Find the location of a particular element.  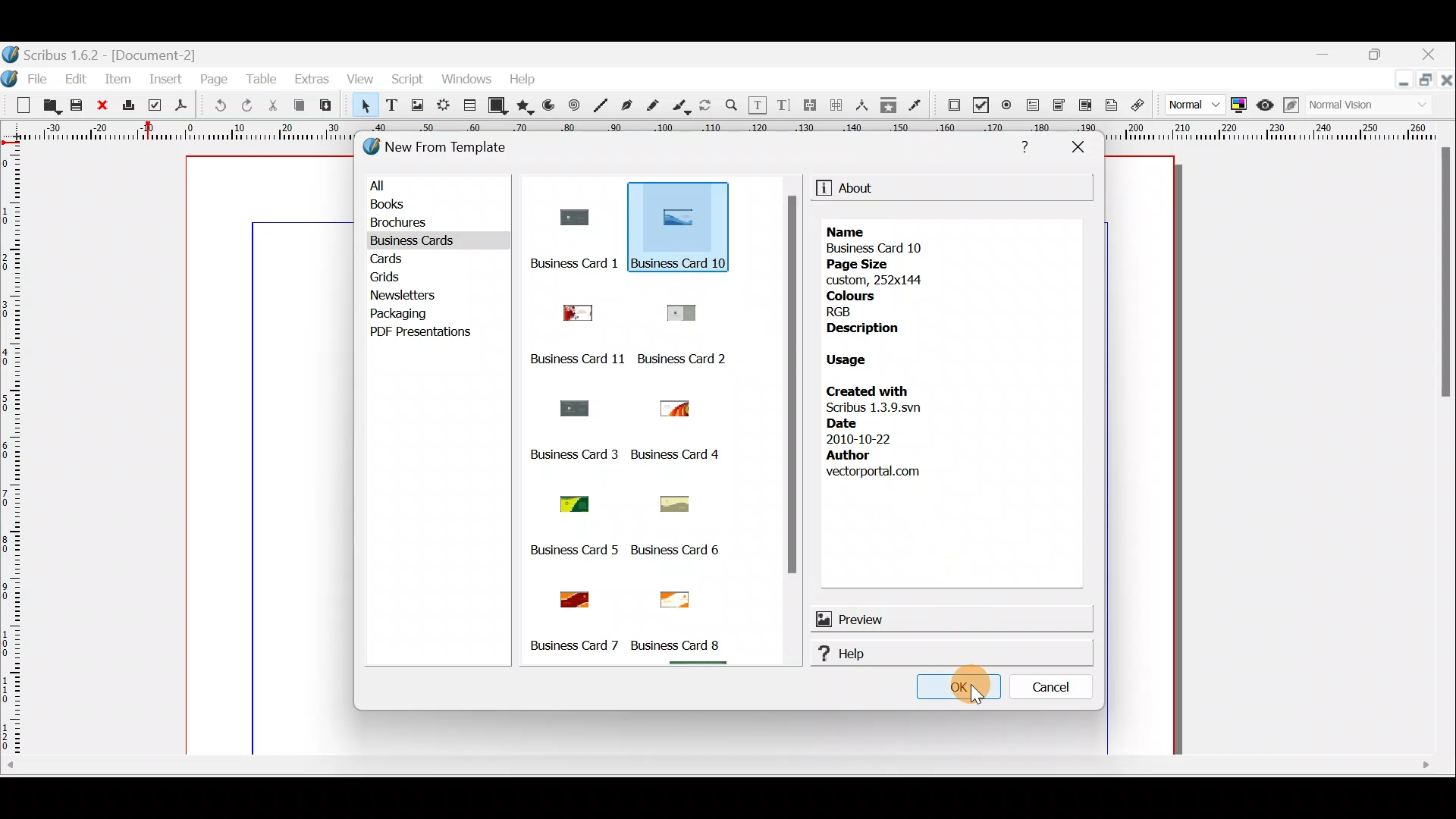

Freehand line is located at coordinates (657, 105).